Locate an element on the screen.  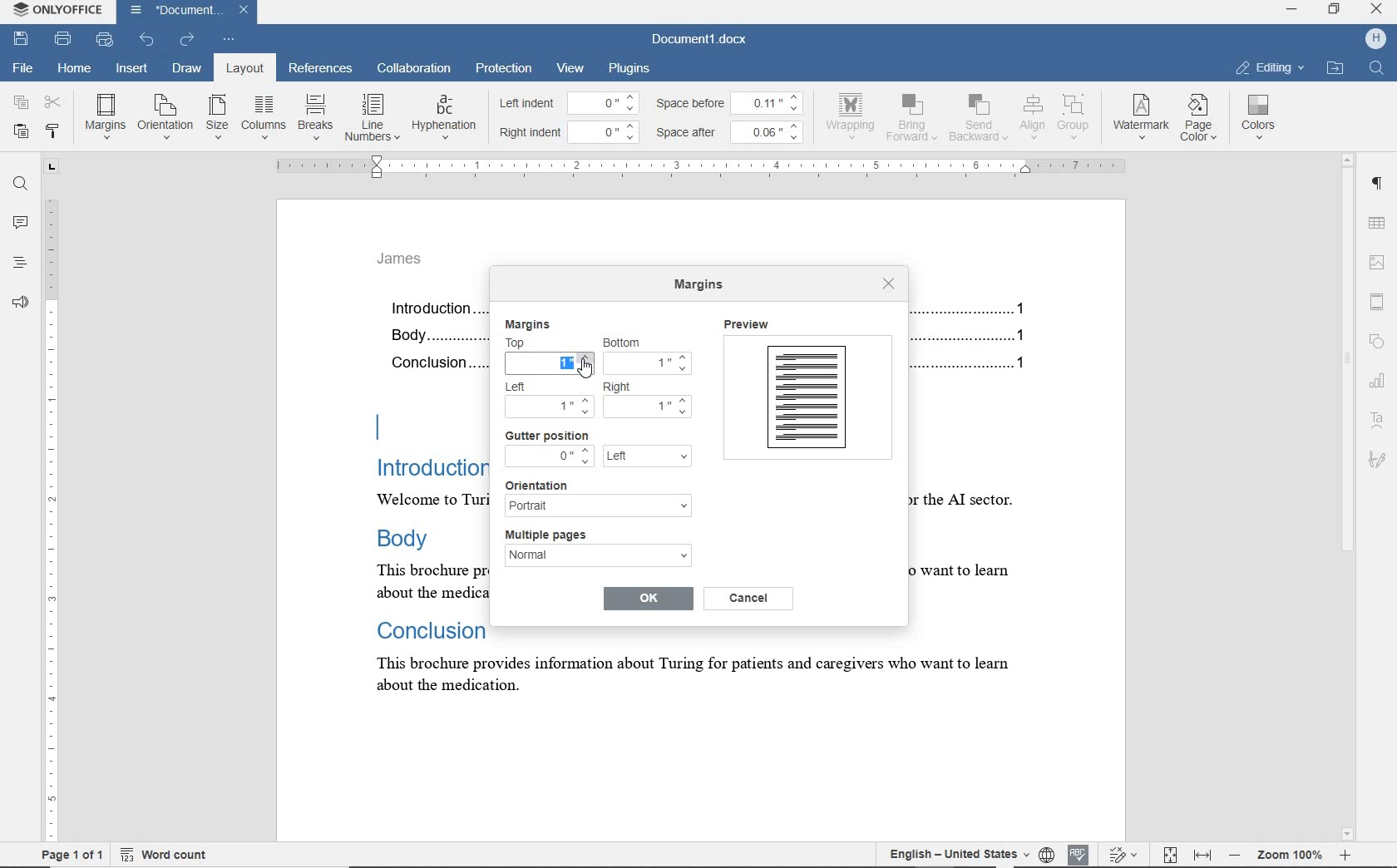
MINIMIZE is located at coordinates (1291, 10).